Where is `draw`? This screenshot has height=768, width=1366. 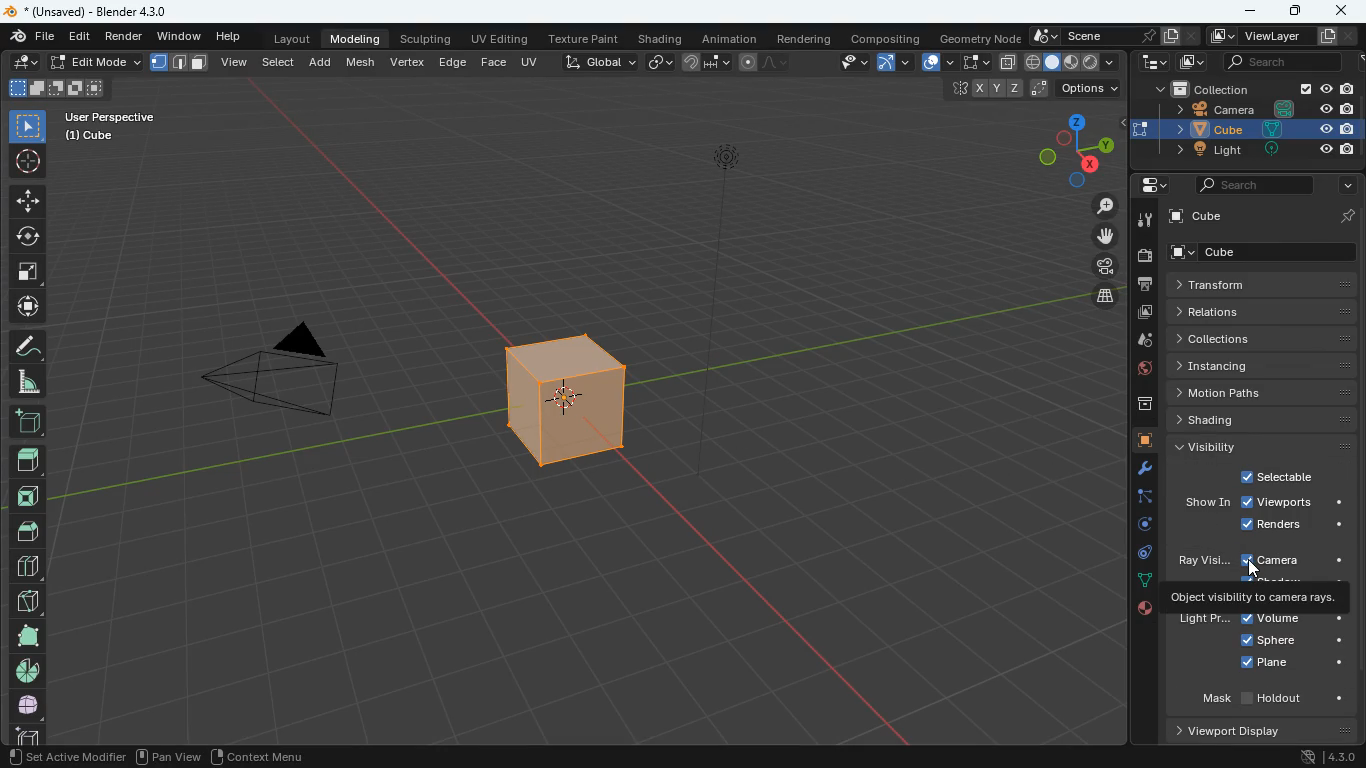 draw is located at coordinates (29, 348).